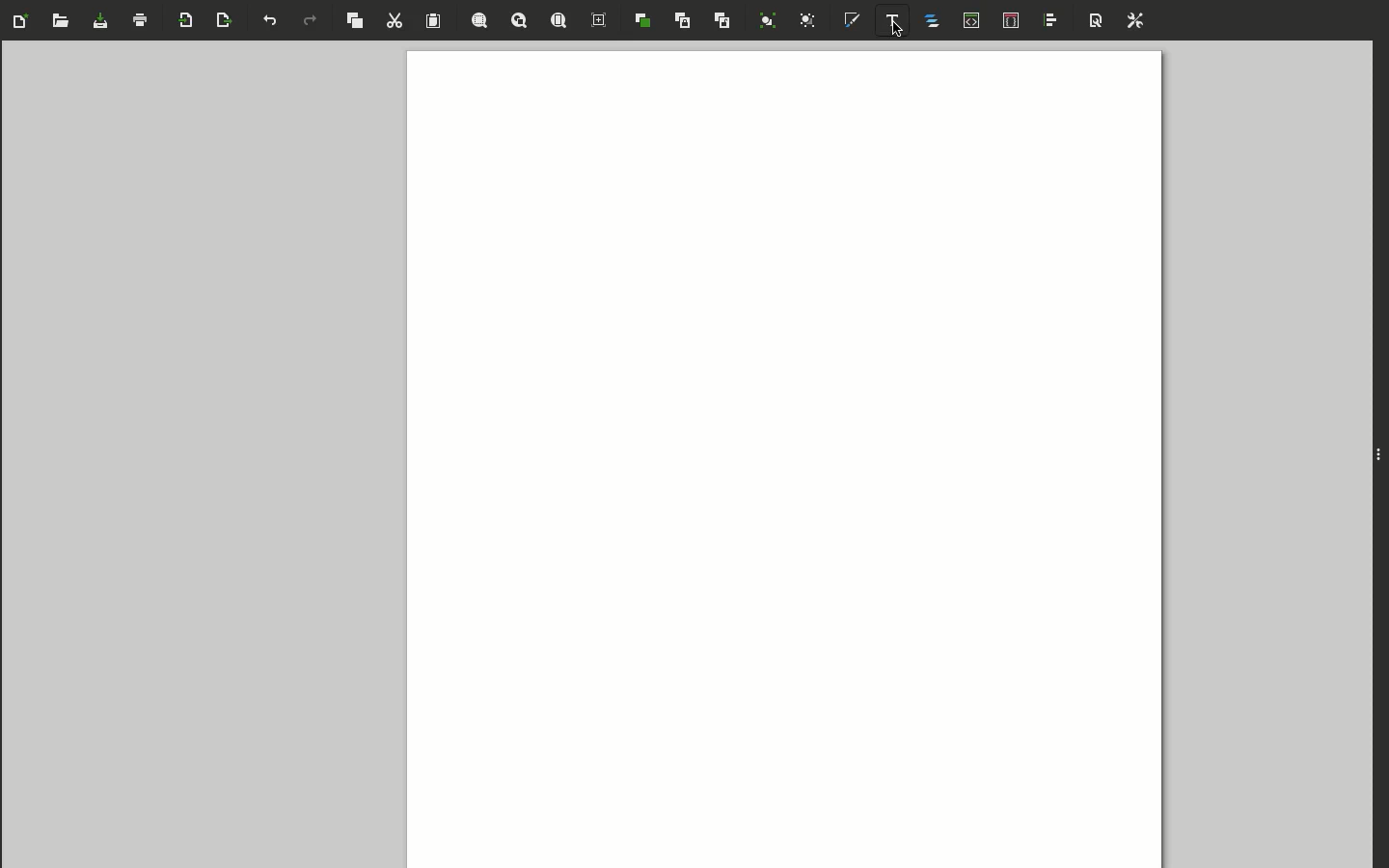  Describe the element at coordinates (1015, 21) in the screenshot. I see `Selectors and CSS` at that location.